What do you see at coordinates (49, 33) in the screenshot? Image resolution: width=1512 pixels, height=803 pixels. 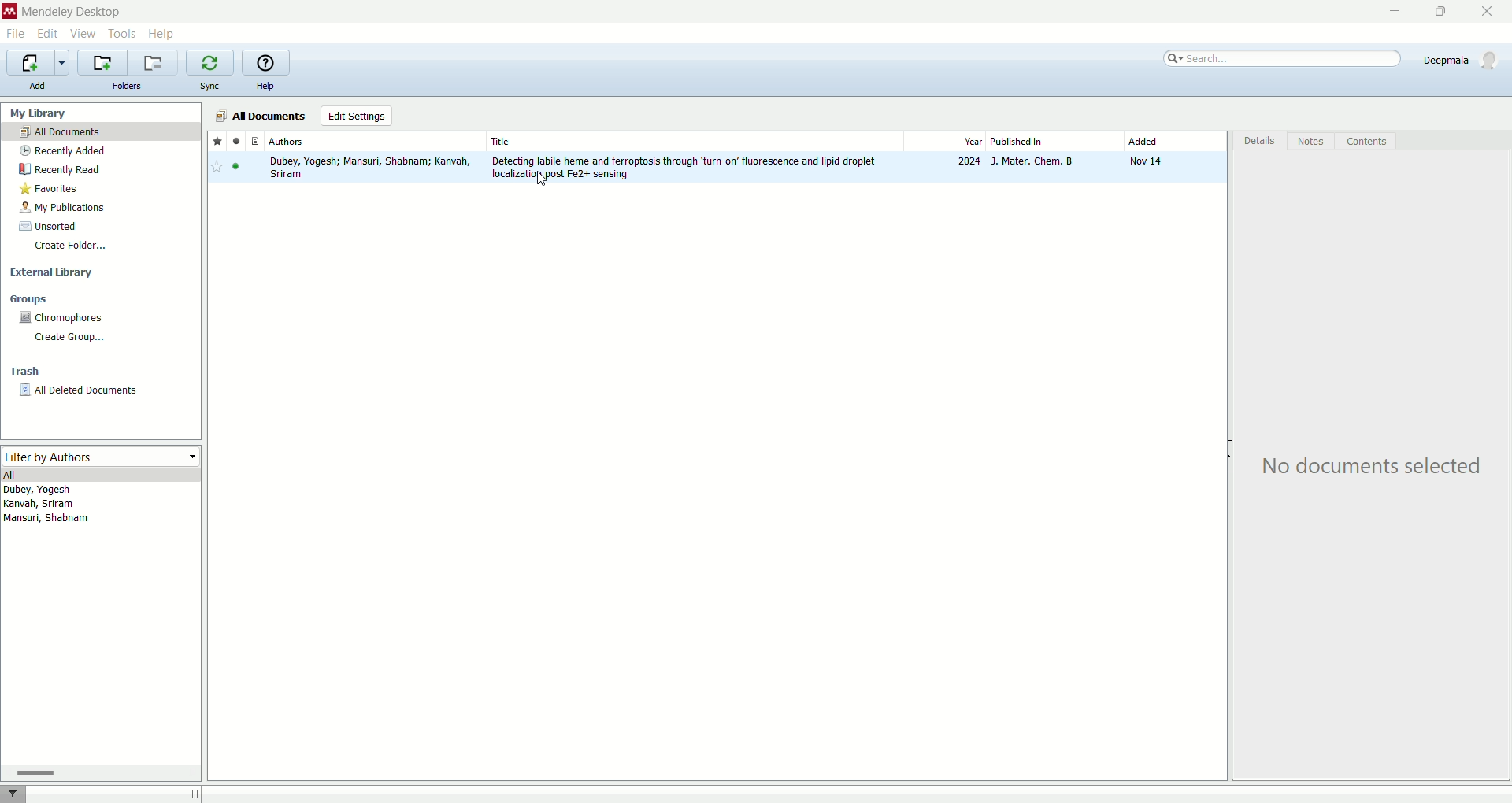 I see `edit` at bounding box center [49, 33].